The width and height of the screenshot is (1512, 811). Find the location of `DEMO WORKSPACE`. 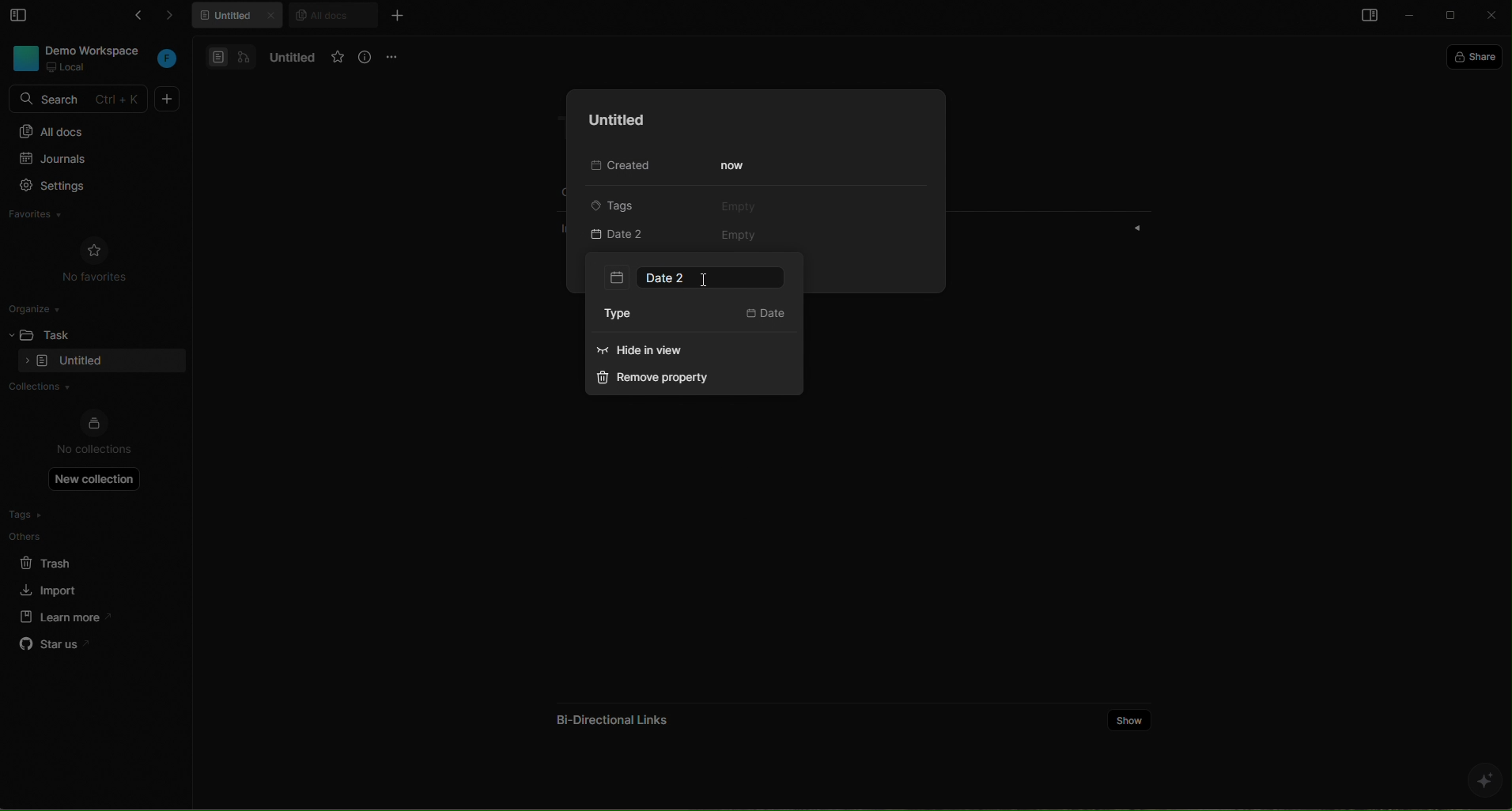

DEMO WORKSPACE is located at coordinates (97, 50).